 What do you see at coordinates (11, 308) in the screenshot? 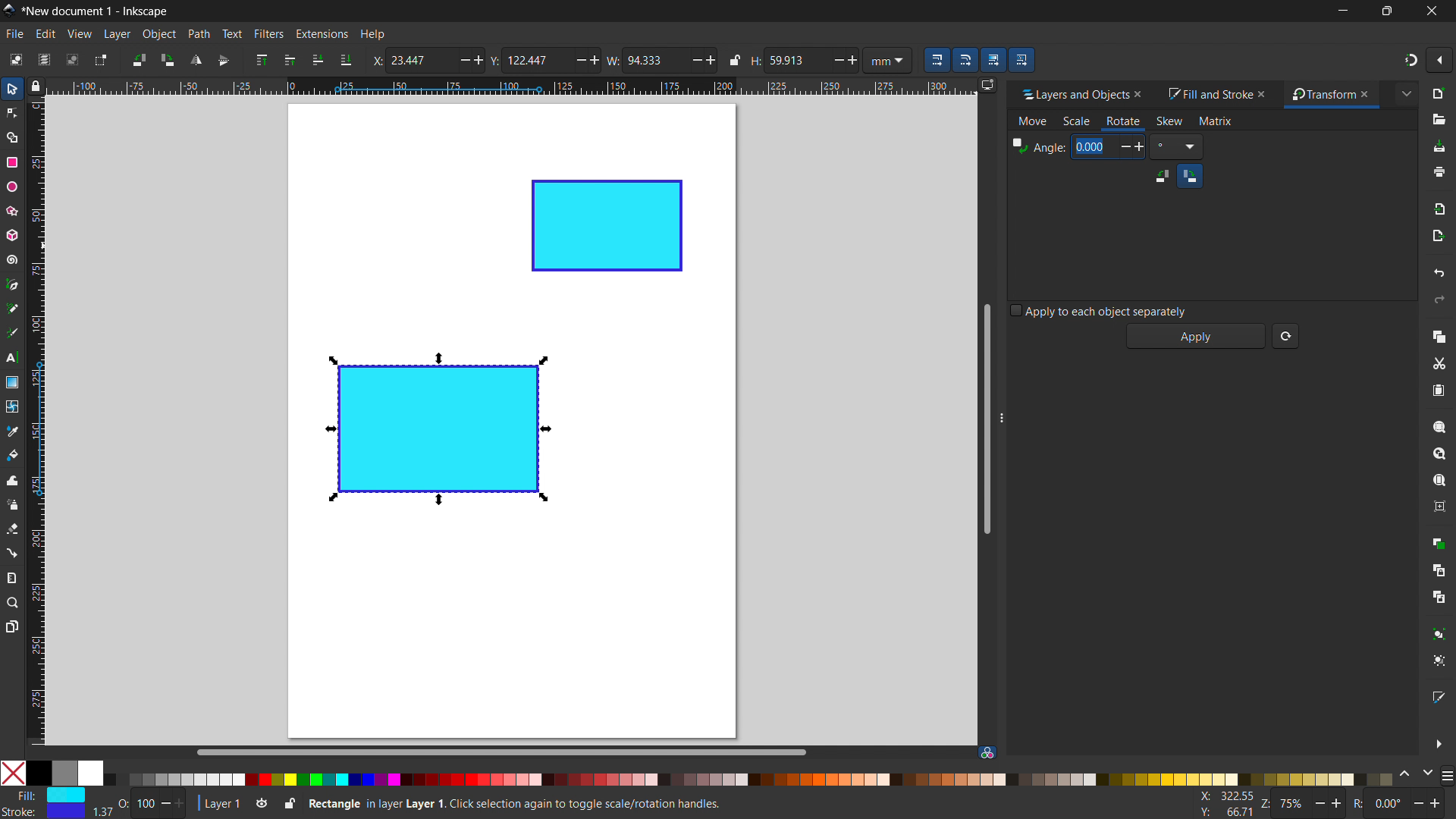
I see `pencil tool` at bounding box center [11, 308].